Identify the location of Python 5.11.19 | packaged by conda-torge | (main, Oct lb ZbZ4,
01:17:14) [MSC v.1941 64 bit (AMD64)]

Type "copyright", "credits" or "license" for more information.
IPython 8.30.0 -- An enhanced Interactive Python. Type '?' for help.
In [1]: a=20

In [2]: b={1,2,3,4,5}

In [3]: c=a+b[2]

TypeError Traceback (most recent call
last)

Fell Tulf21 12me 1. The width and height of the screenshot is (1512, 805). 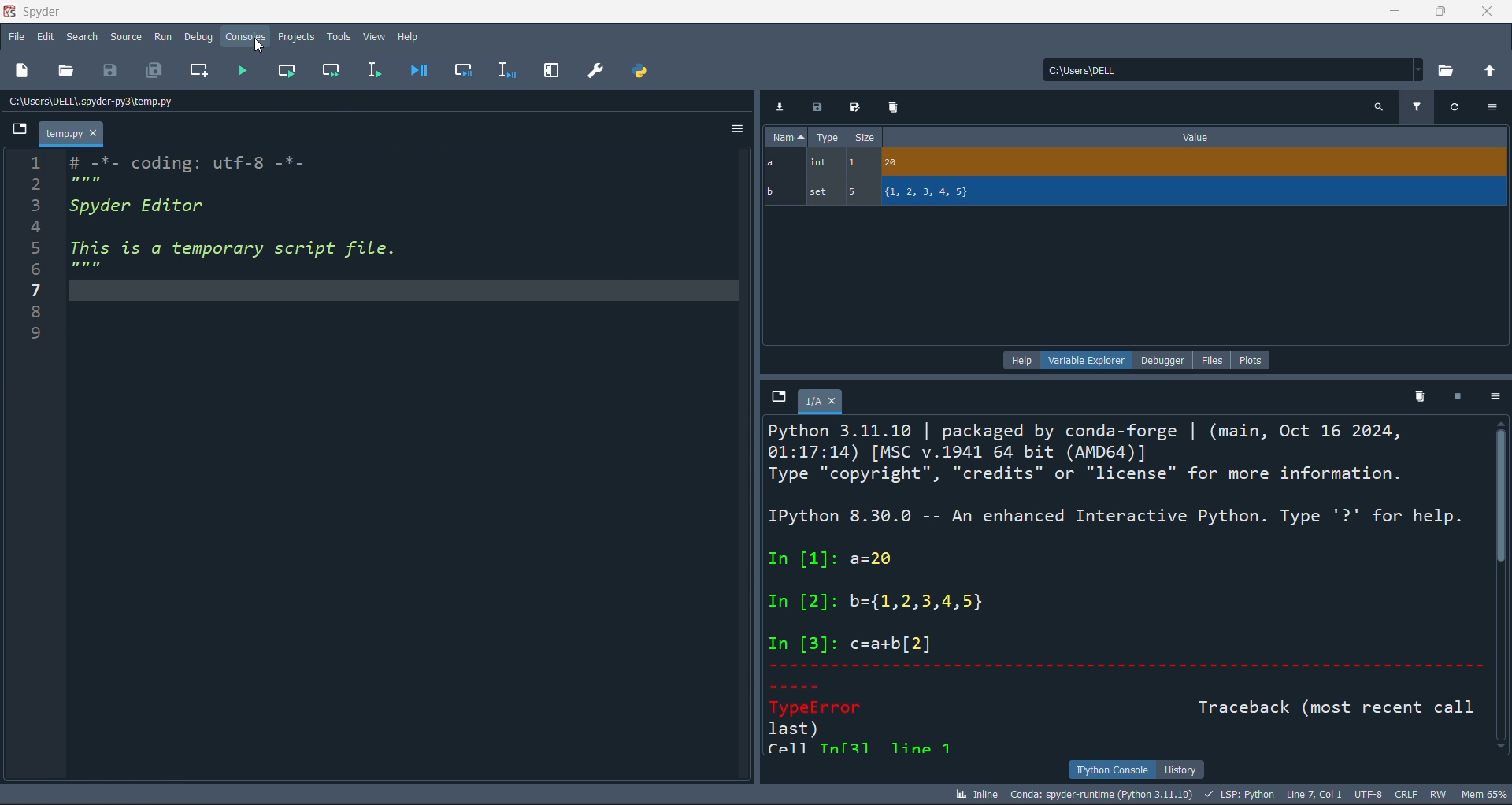
(1117, 586).